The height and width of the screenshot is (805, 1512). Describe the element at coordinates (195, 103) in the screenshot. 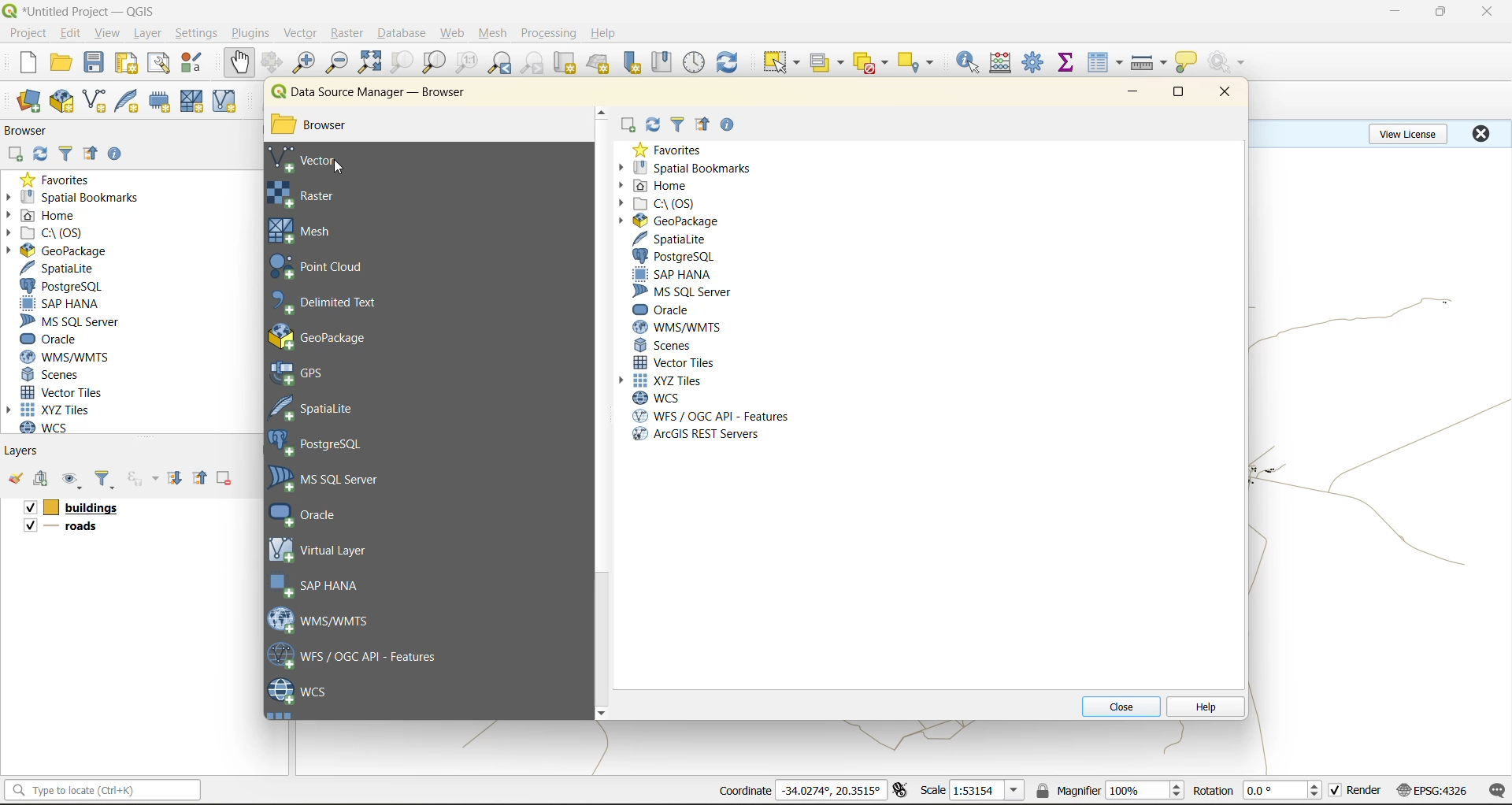

I see `new mesh layer` at that location.